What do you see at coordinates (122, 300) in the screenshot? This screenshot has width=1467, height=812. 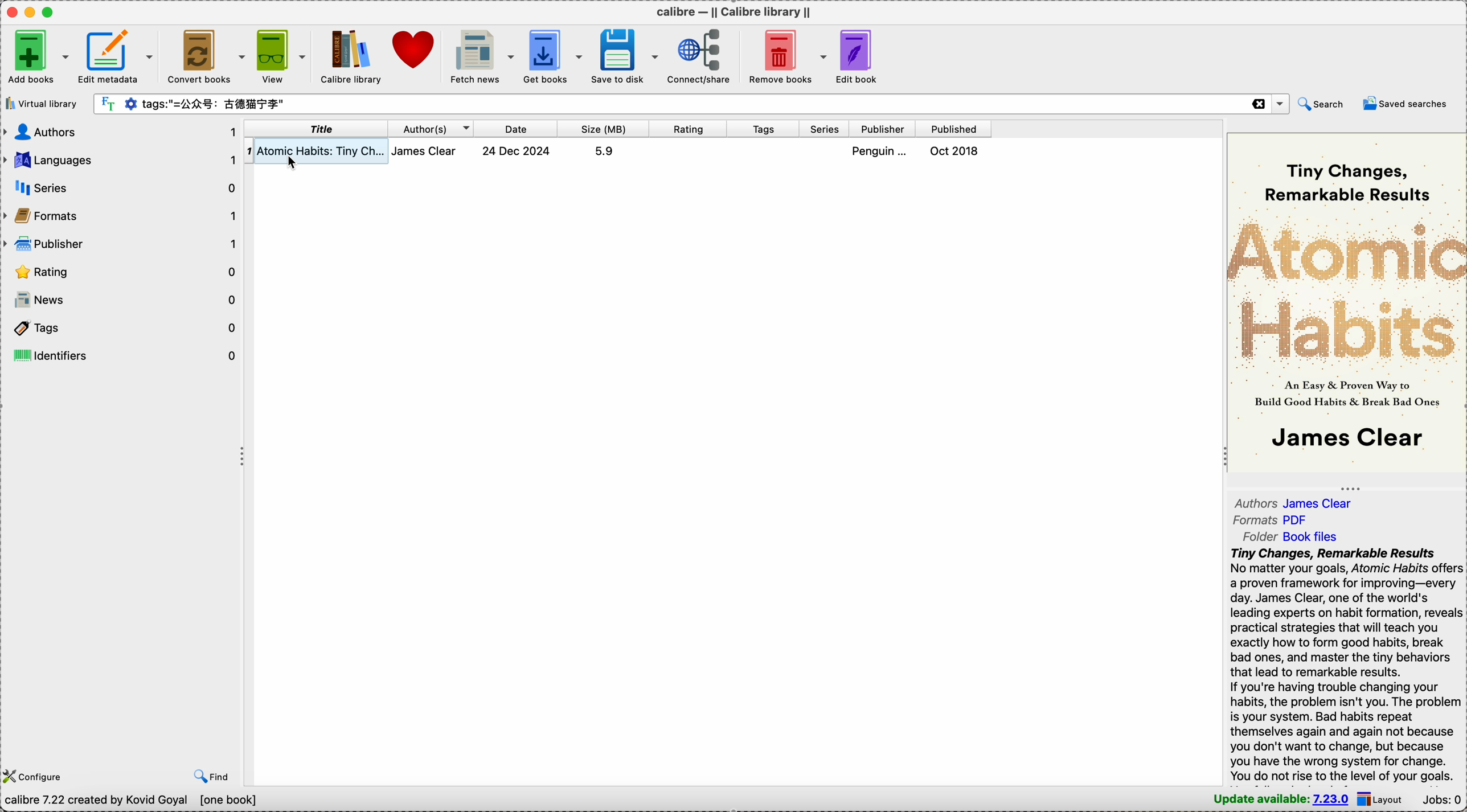 I see `news` at bounding box center [122, 300].